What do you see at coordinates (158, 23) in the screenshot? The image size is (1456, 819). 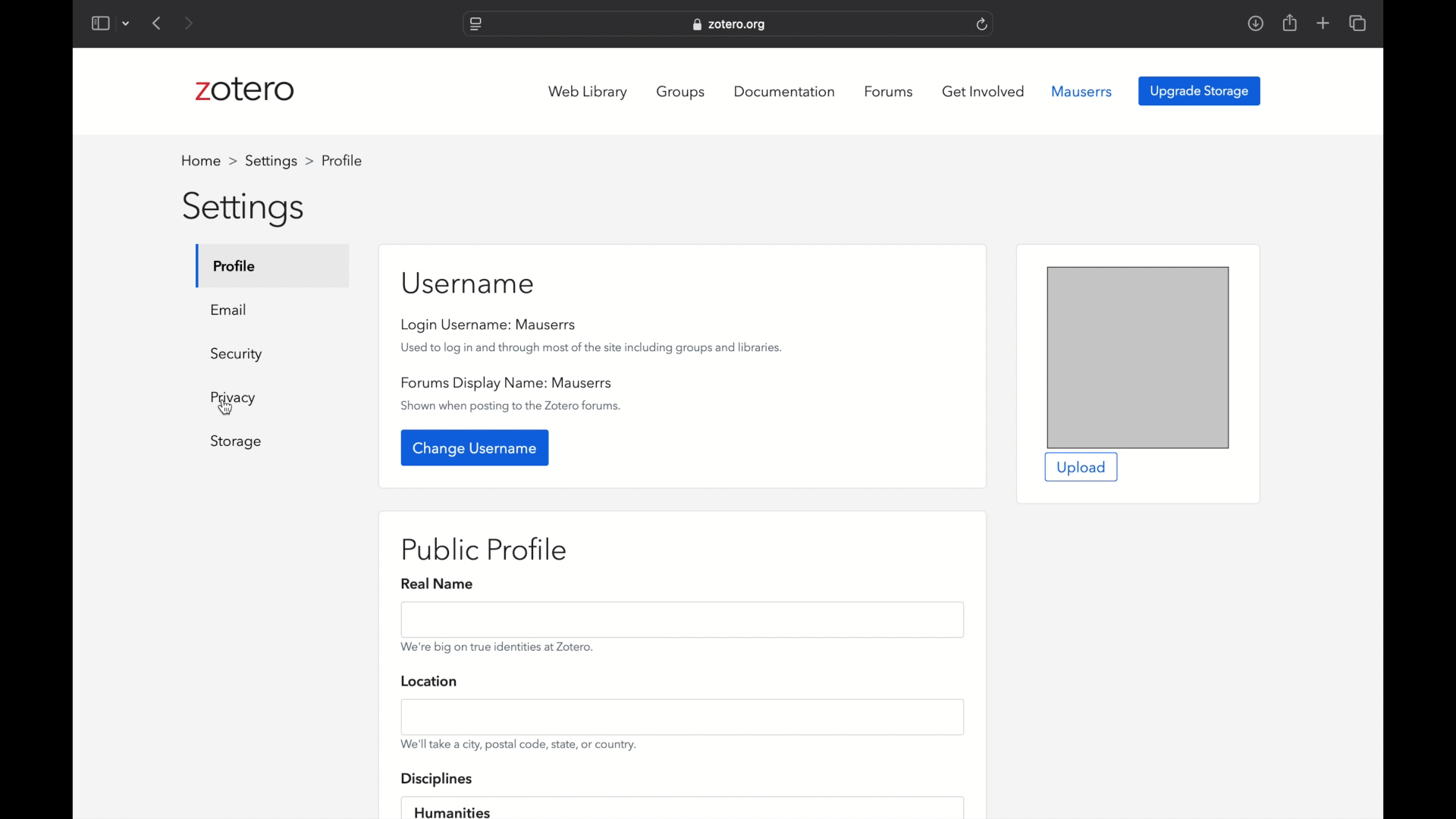 I see `previous` at bounding box center [158, 23].